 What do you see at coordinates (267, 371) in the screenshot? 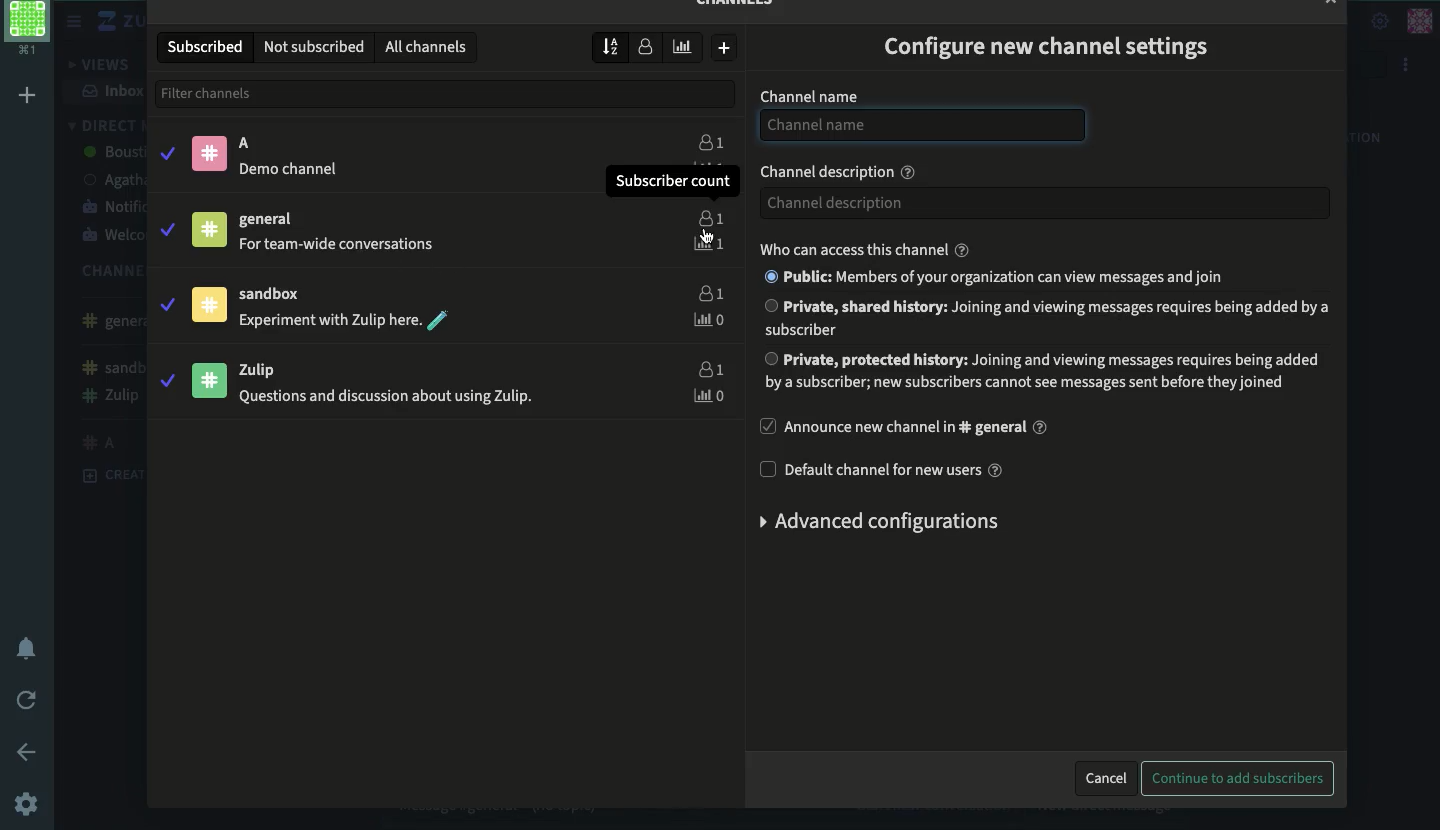
I see `Zulip` at bounding box center [267, 371].